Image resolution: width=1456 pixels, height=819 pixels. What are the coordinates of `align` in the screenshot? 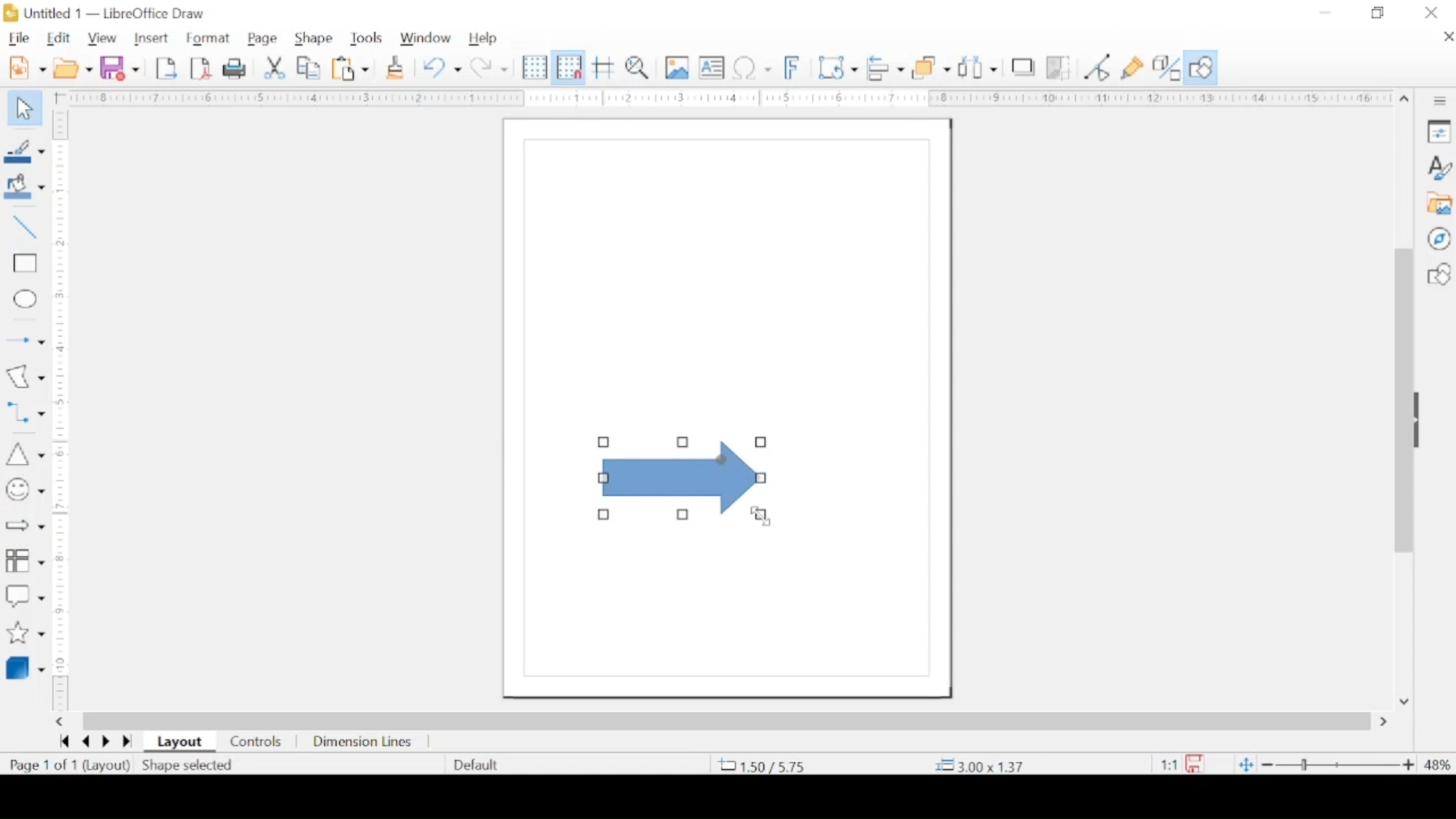 It's located at (885, 67).